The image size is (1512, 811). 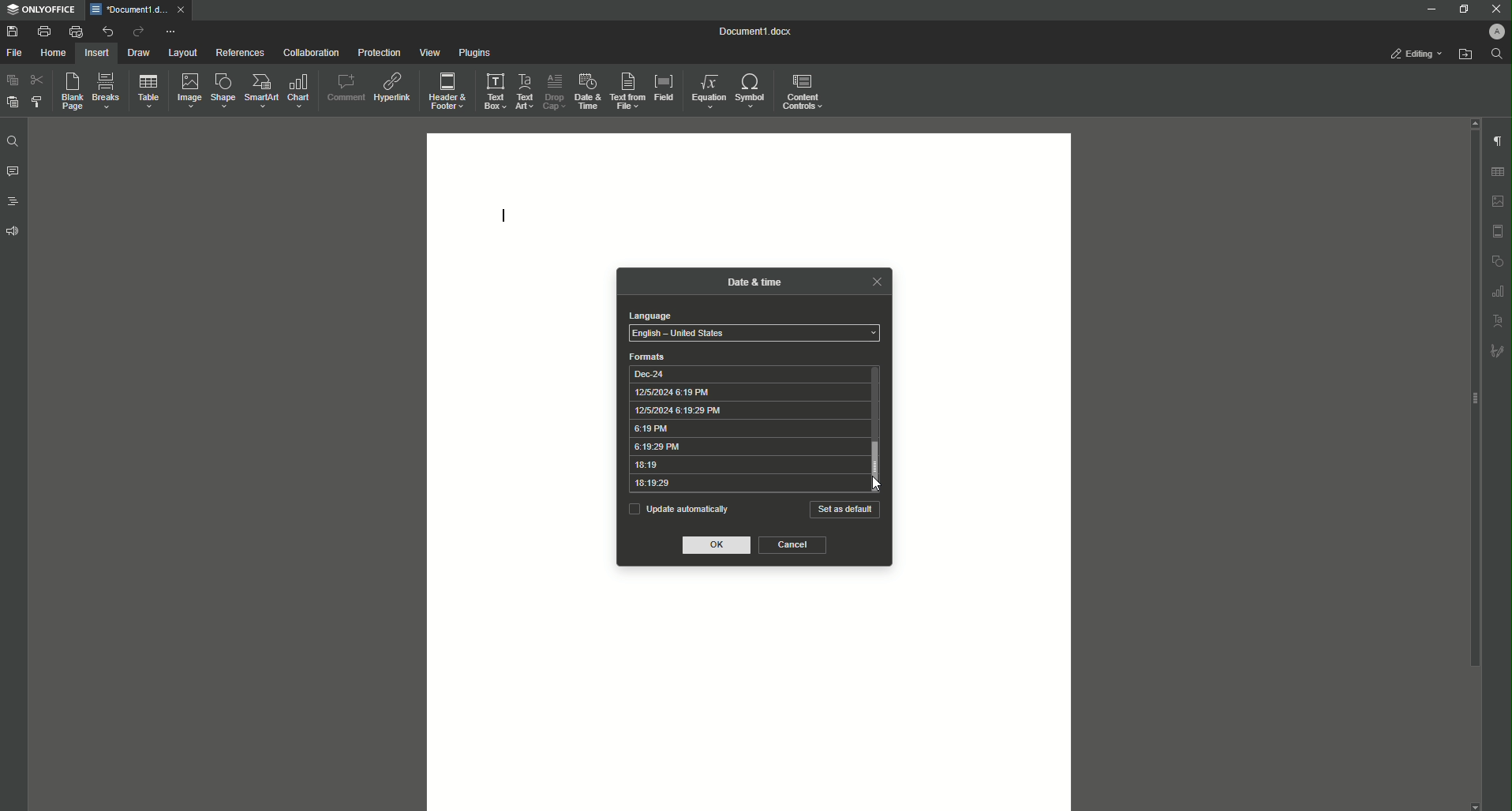 I want to click on OK, so click(x=718, y=546).